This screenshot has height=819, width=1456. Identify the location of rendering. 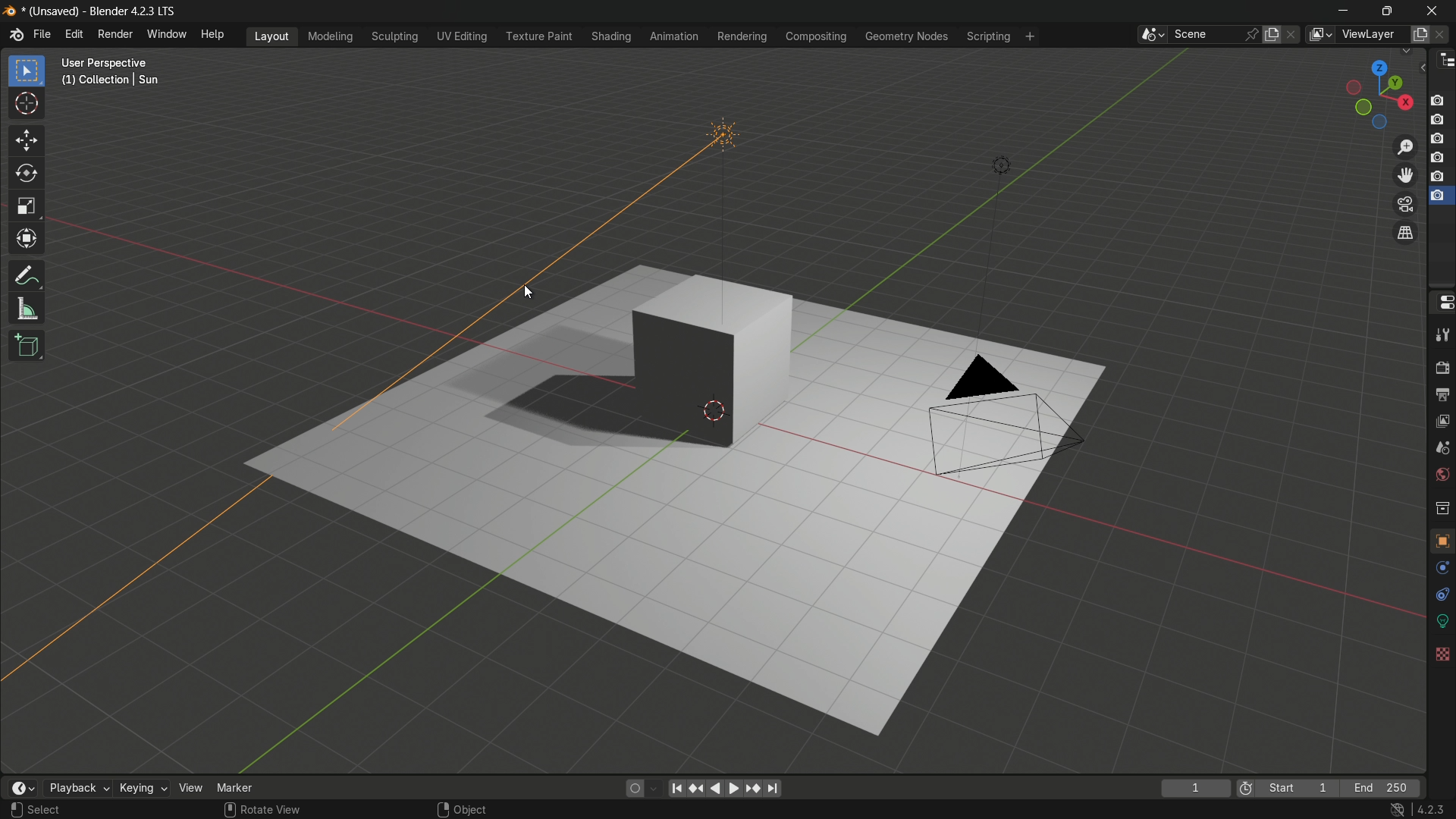
(740, 36).